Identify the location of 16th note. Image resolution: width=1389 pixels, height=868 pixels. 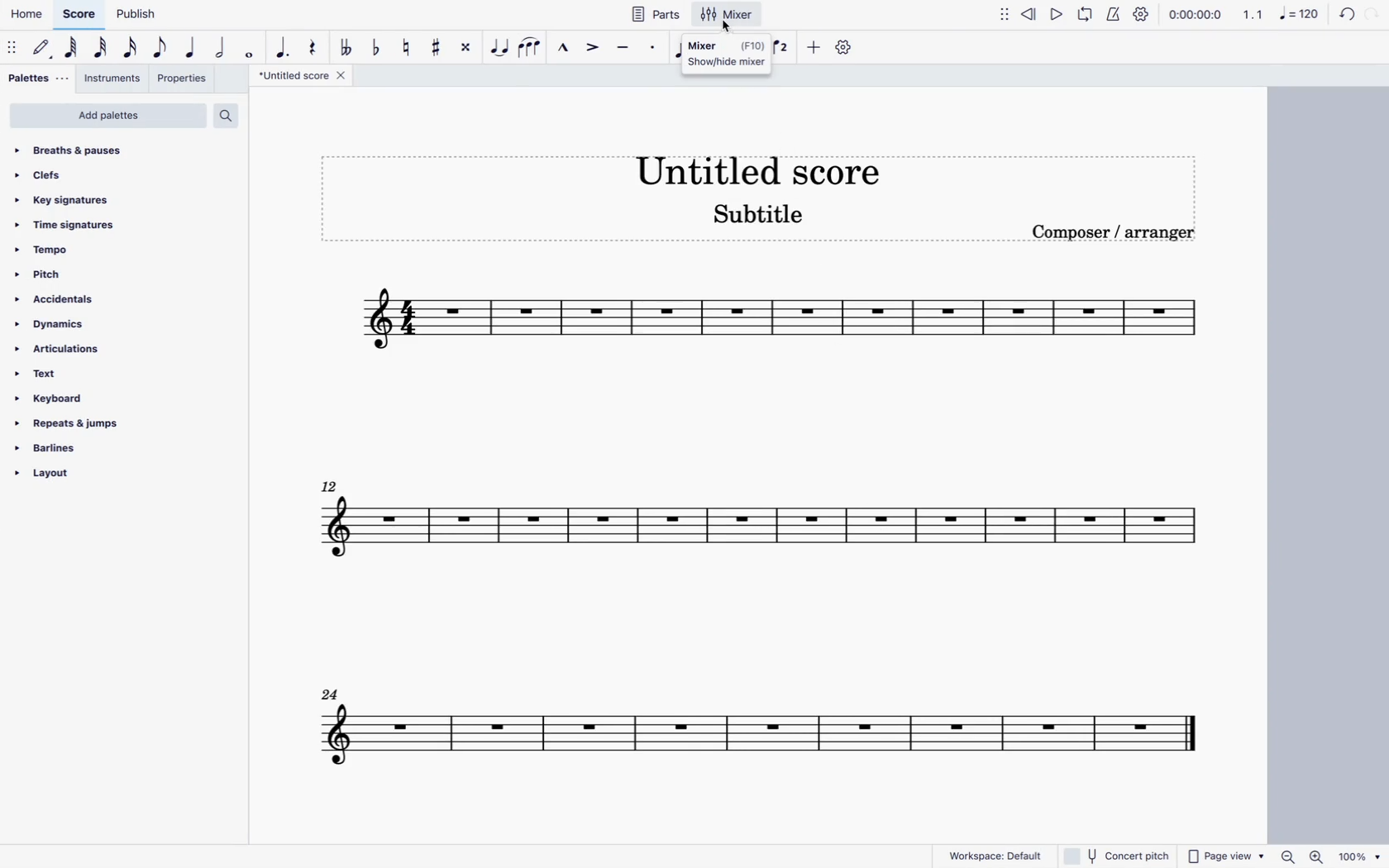
(131, 50).